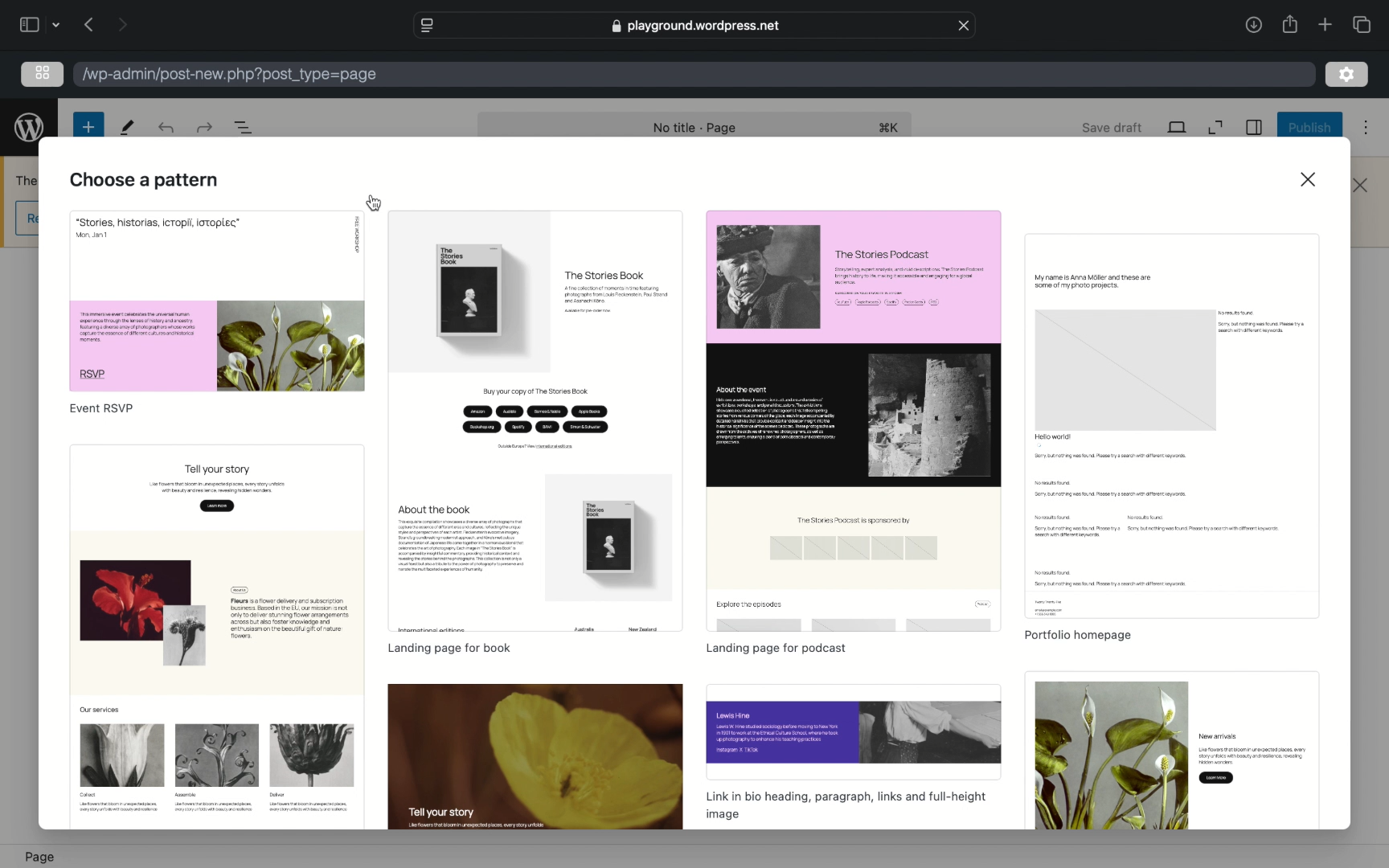 This screenshot has width=1389, height=868. Describe the element at coordinates (1079, 637) in the screenshot. I see `portfolio homepage` at that location.